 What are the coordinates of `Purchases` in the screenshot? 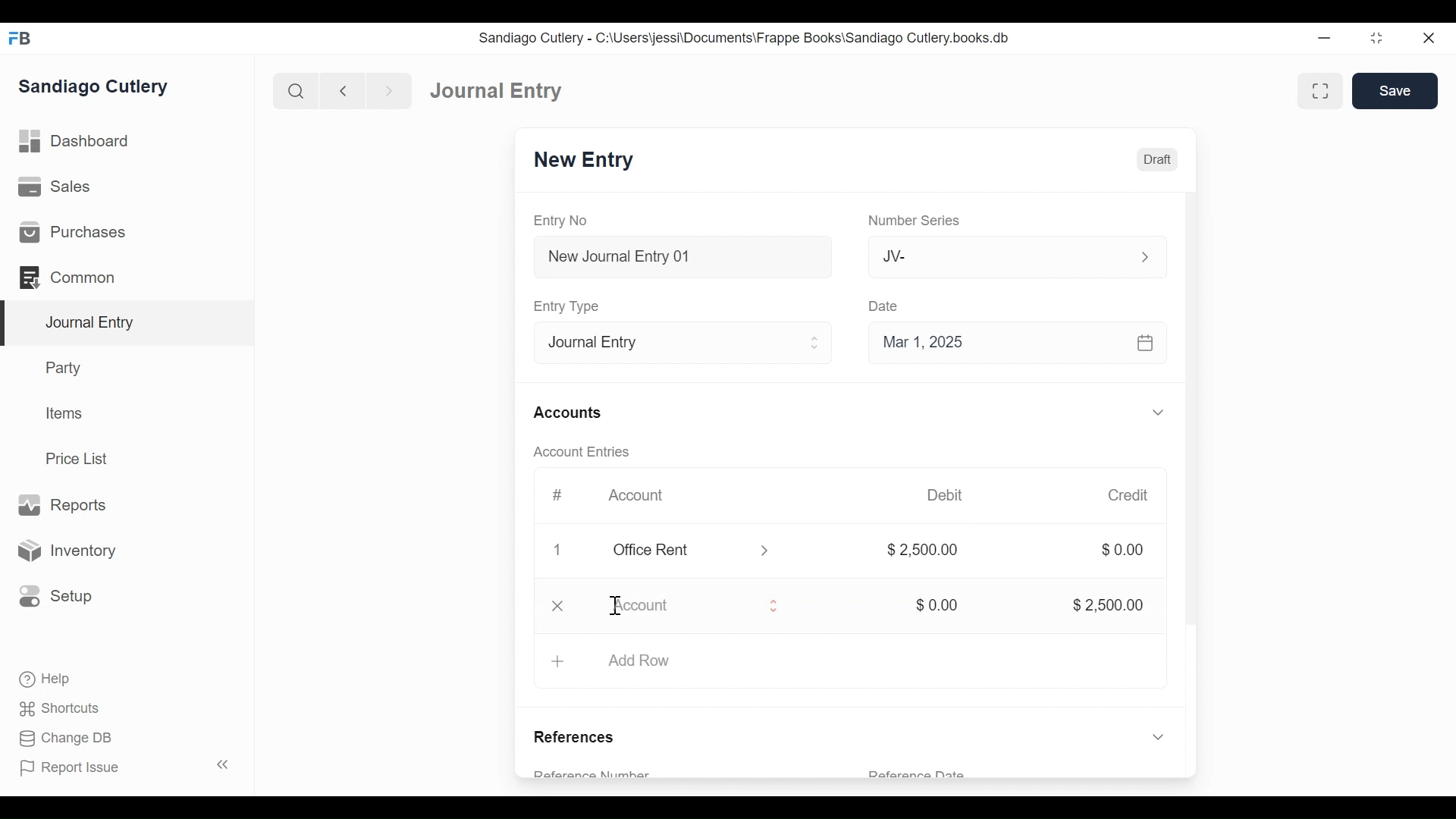 It's located at (127, 231).